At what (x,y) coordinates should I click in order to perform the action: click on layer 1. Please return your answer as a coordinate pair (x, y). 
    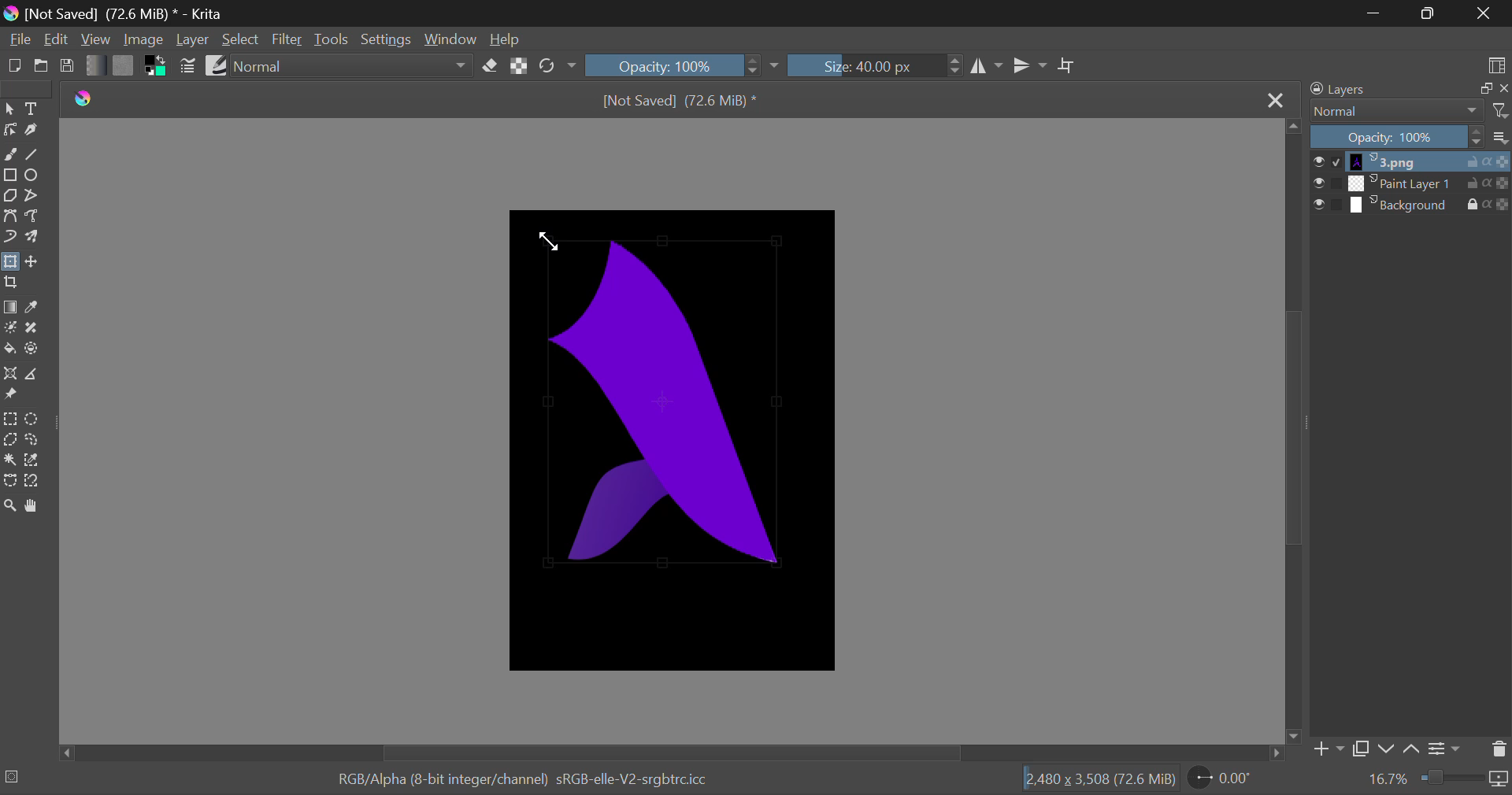
    Looking at the image, I should click on (1403, 162).